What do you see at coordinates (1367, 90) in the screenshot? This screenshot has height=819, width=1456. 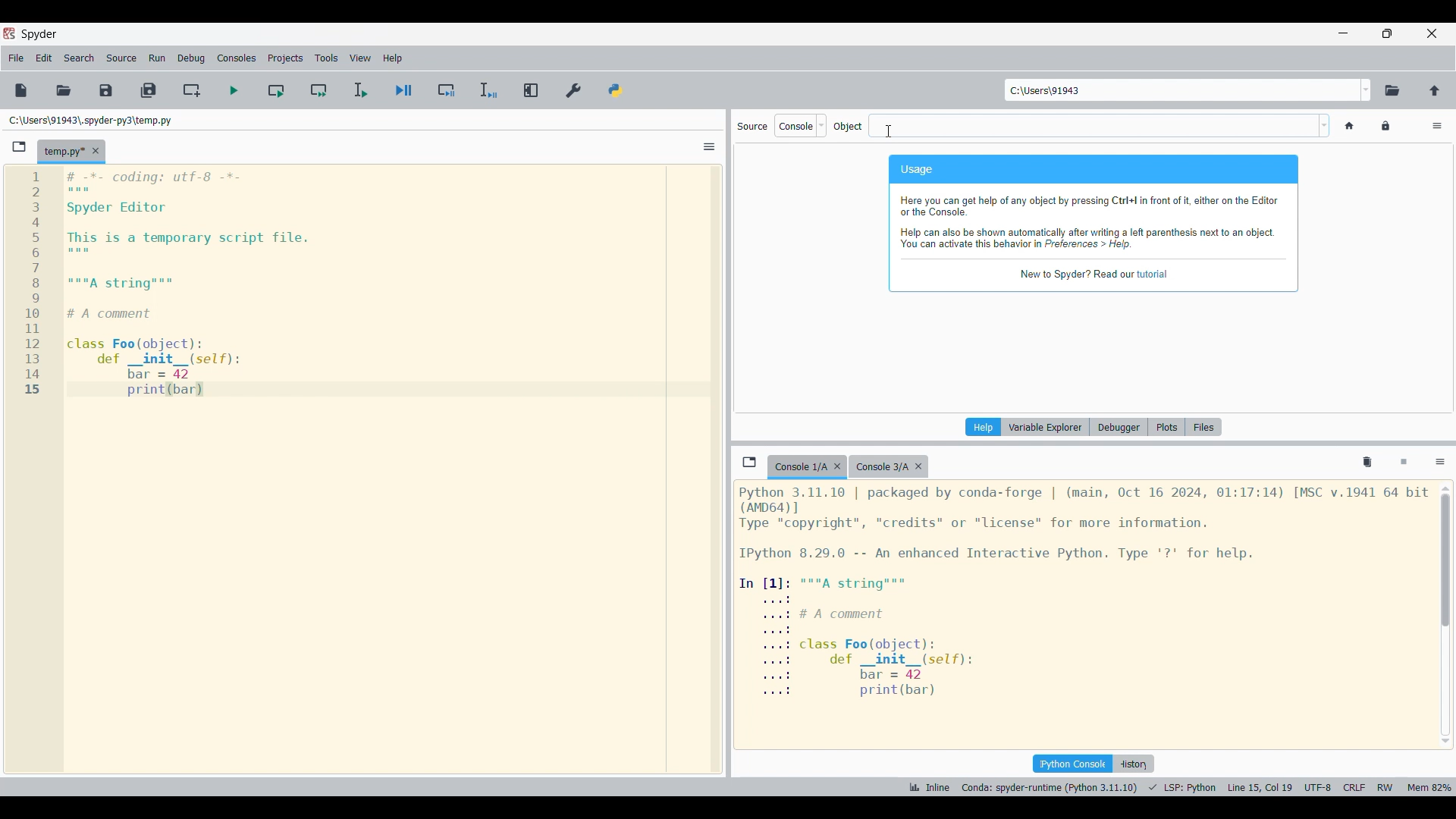 I see `Location options` at bounding box center [1367, 90].